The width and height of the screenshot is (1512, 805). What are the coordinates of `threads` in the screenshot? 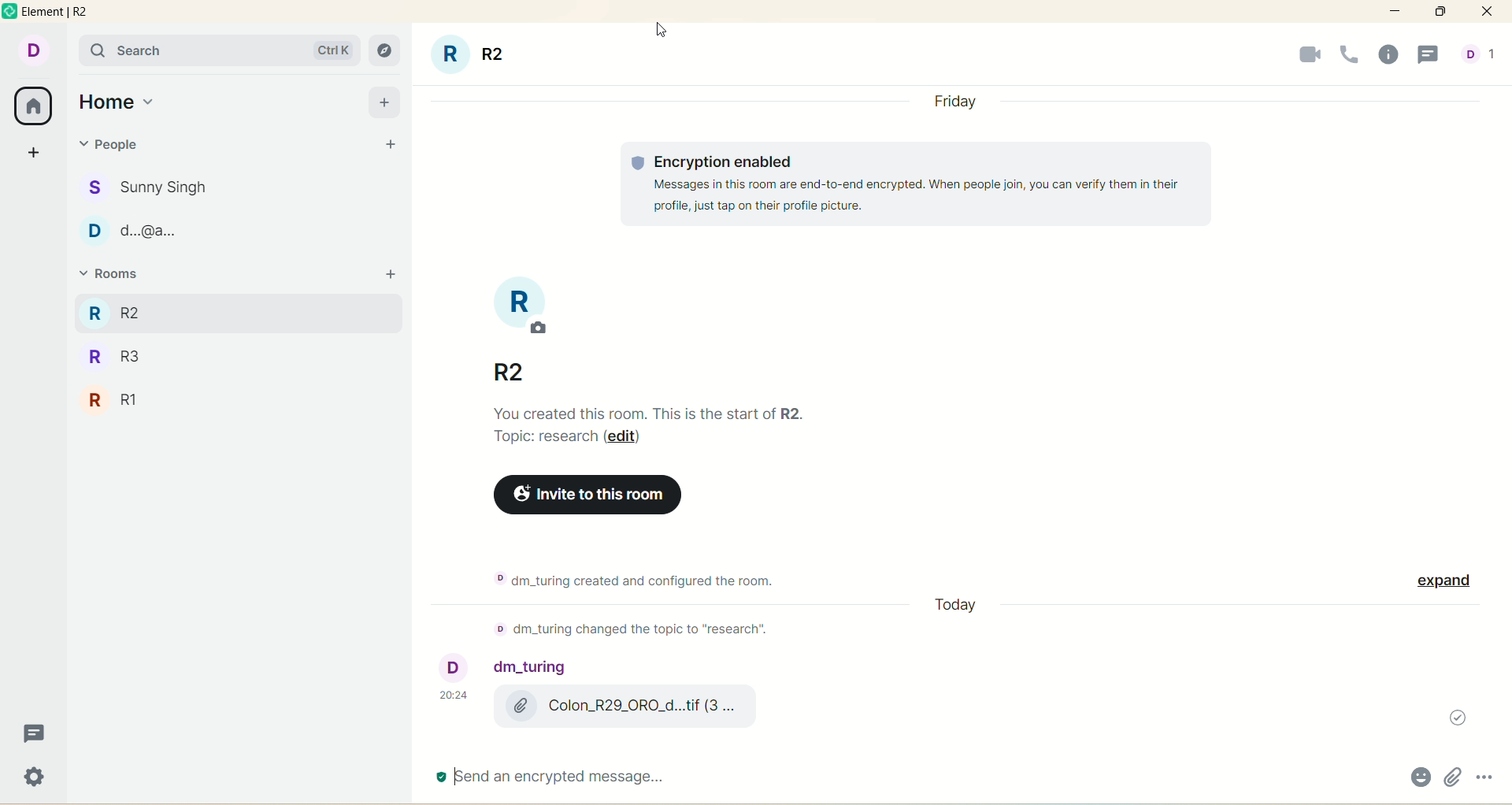 It's located at (1431, 56).